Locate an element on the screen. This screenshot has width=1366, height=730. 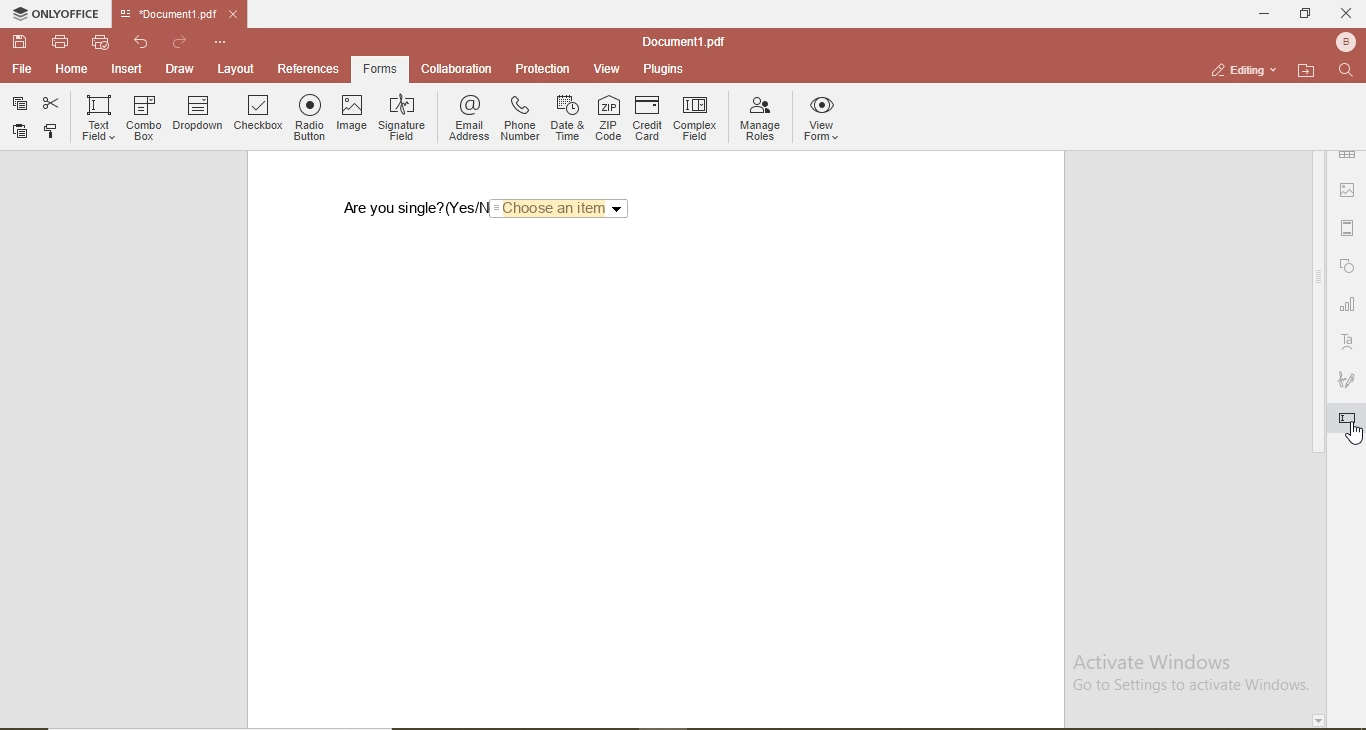
protection is located at coordinates (544, 68).